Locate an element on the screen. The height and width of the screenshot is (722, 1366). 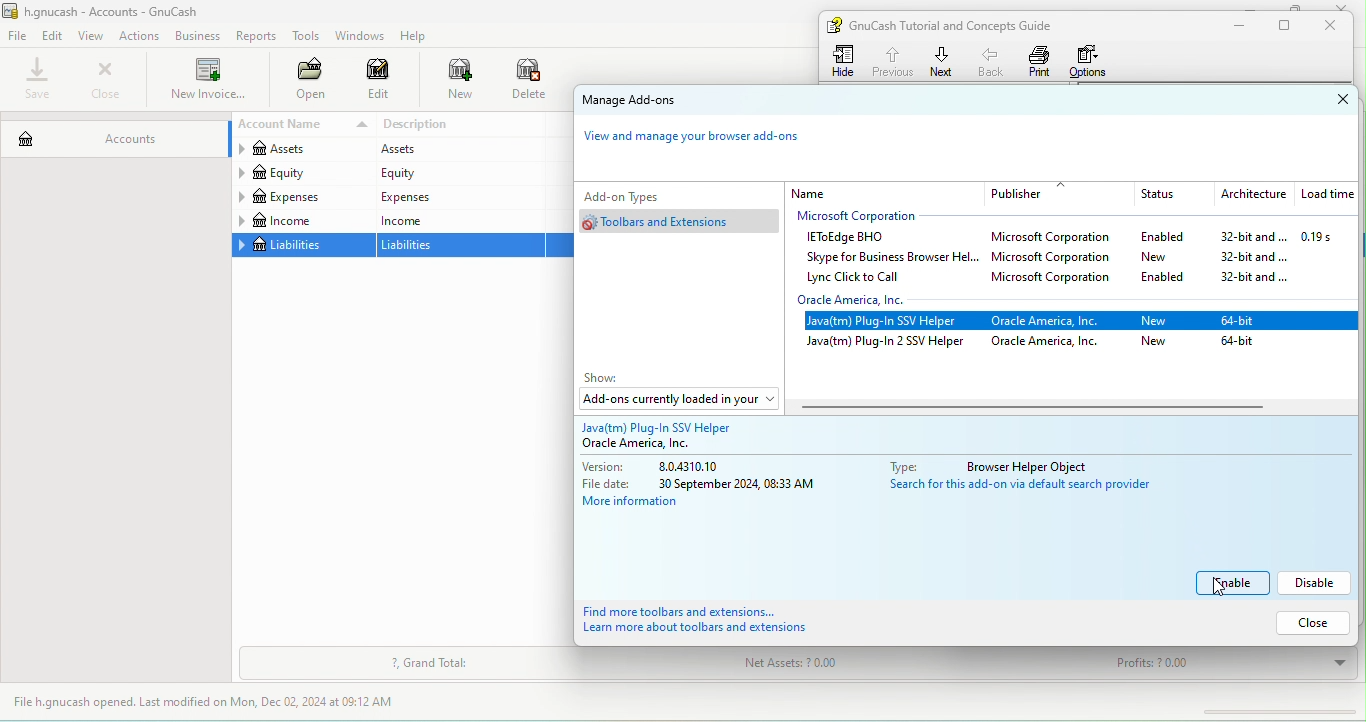
next is located at coordinates (942, 61).